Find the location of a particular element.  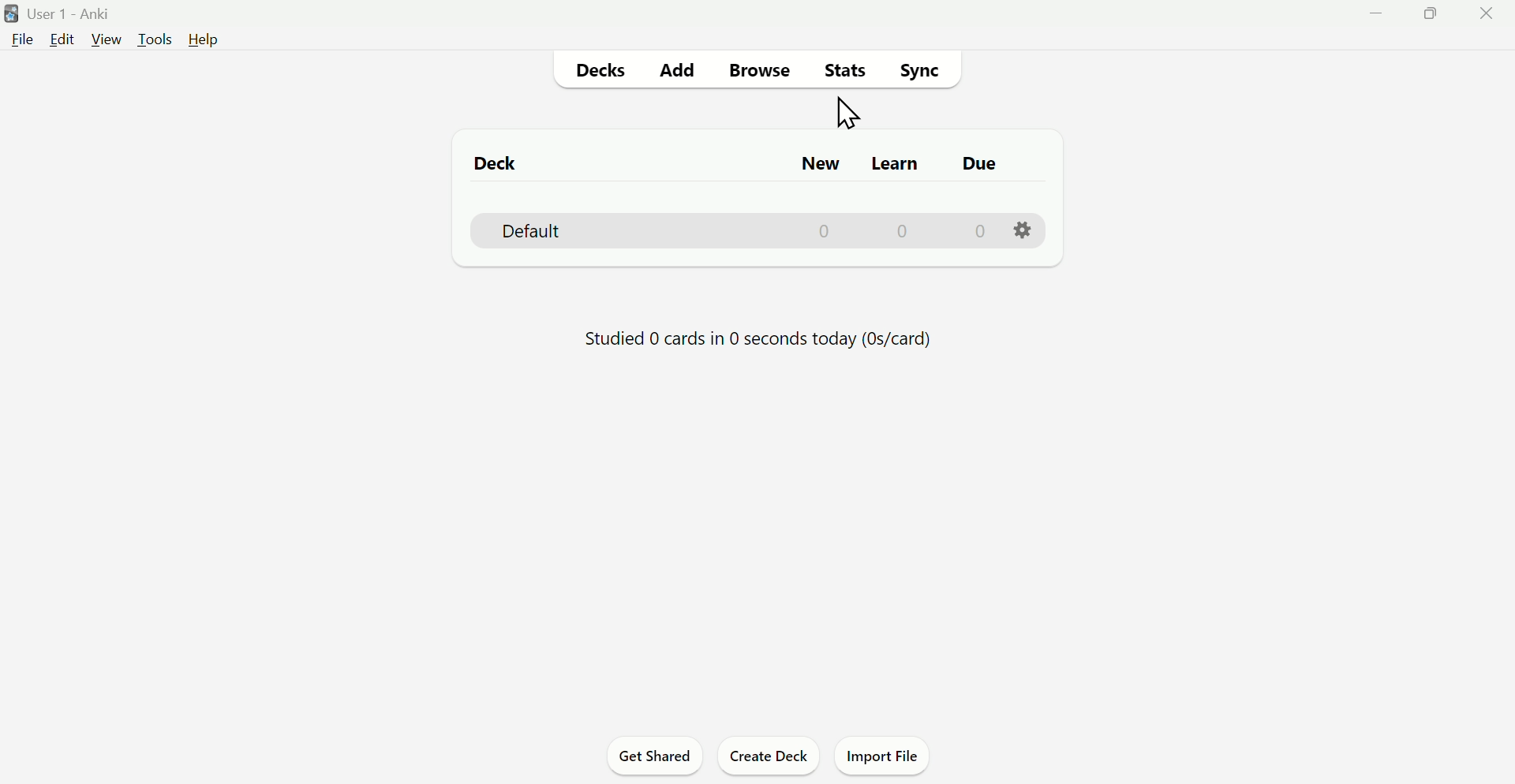

Help is located at coordinates (204, 39).